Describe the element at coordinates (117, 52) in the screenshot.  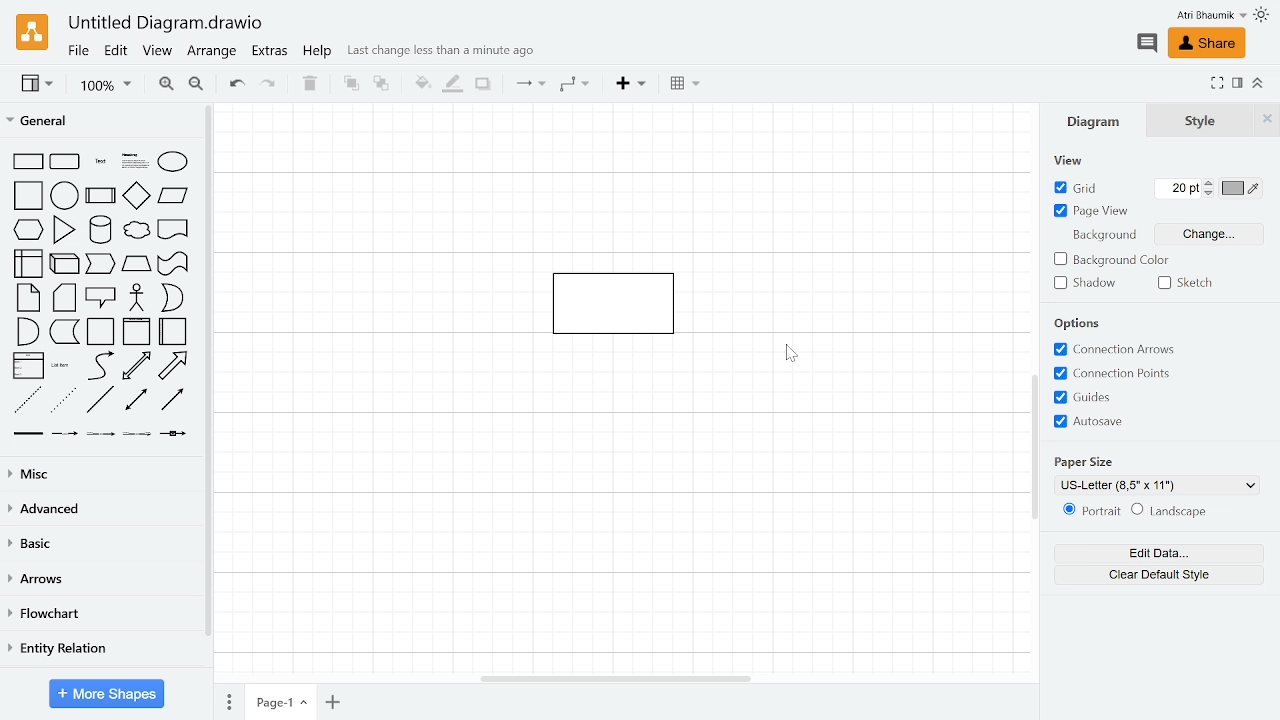
I see `Edit` at that location.